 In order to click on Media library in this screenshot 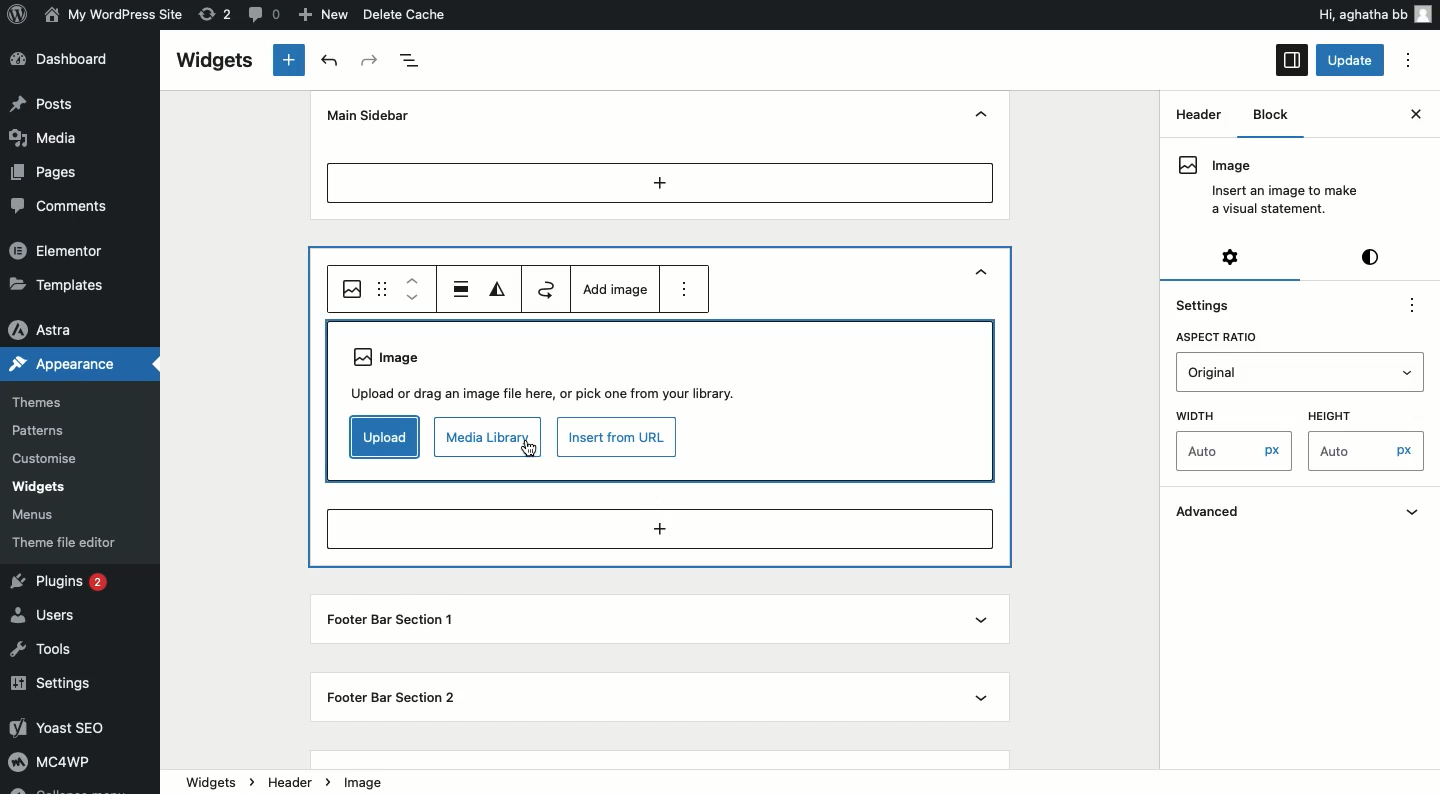, I will do `click(486, 439)`.